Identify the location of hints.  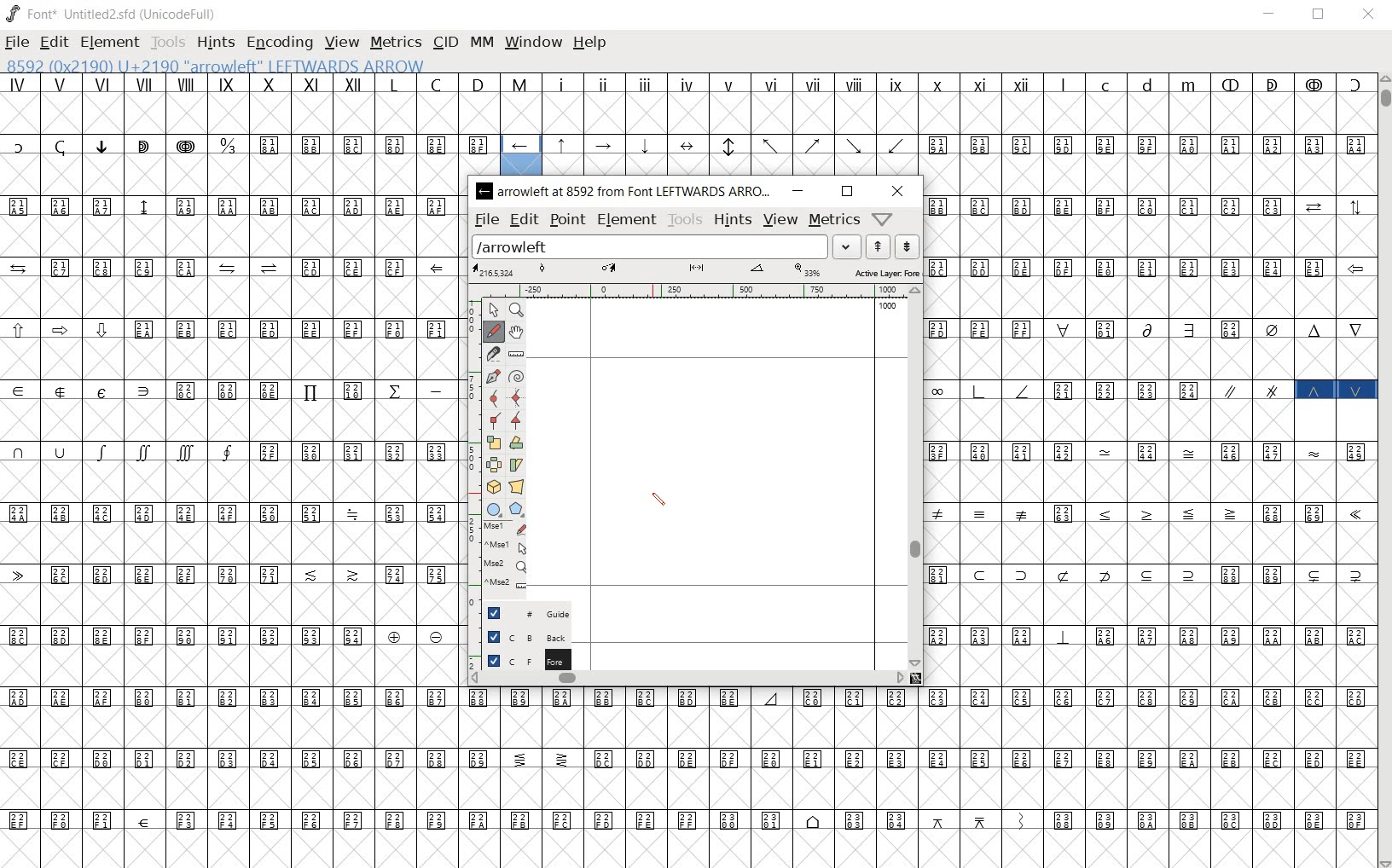
(215, 43).